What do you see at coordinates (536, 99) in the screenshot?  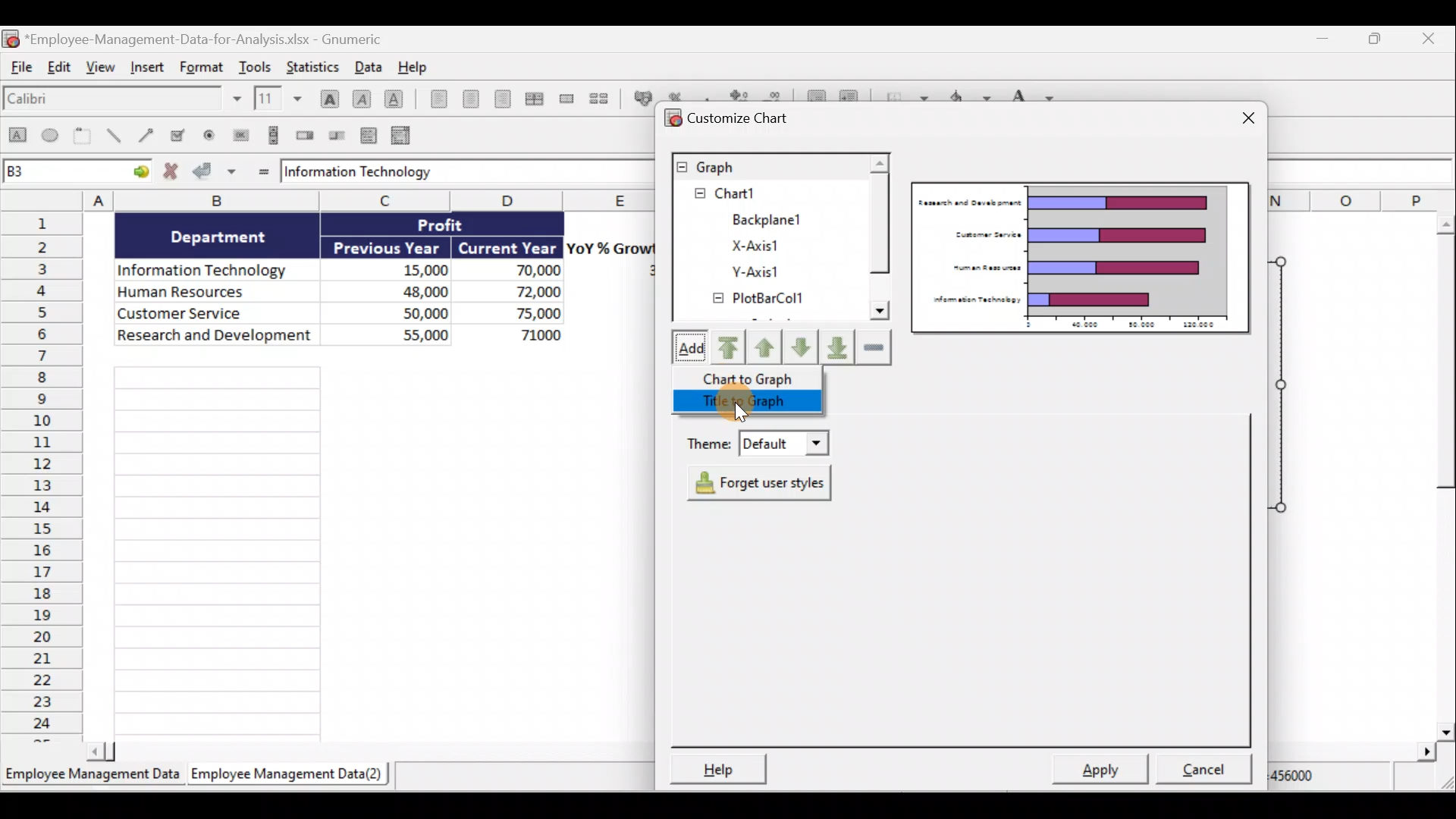 I see `Centre horizontally across the selection` at bounding box center [536, 99].